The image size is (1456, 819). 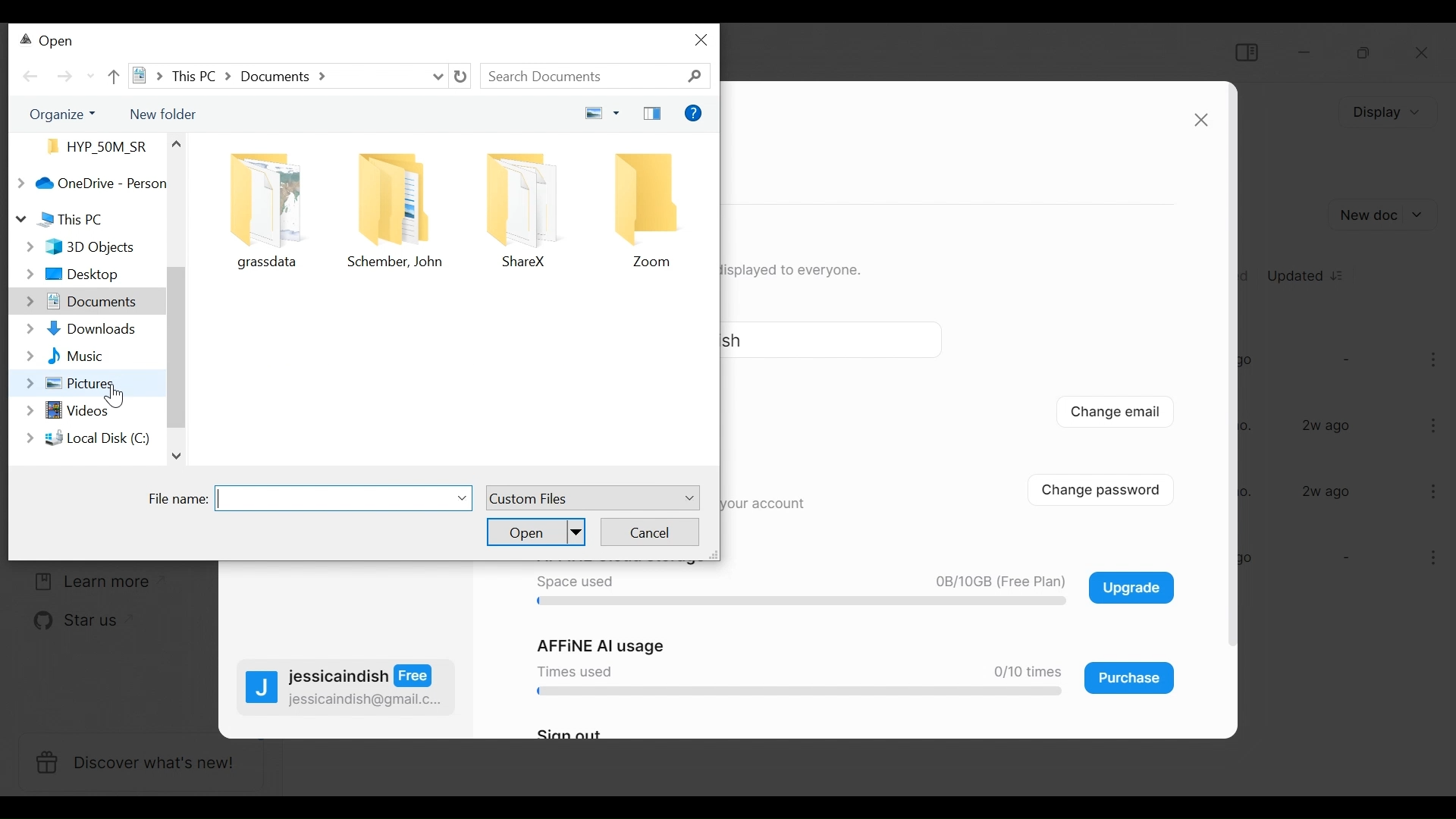 What do you see at coordinates (694, 115) in the screenshot?
I see `Get Help` at bounding box center [694, 115].